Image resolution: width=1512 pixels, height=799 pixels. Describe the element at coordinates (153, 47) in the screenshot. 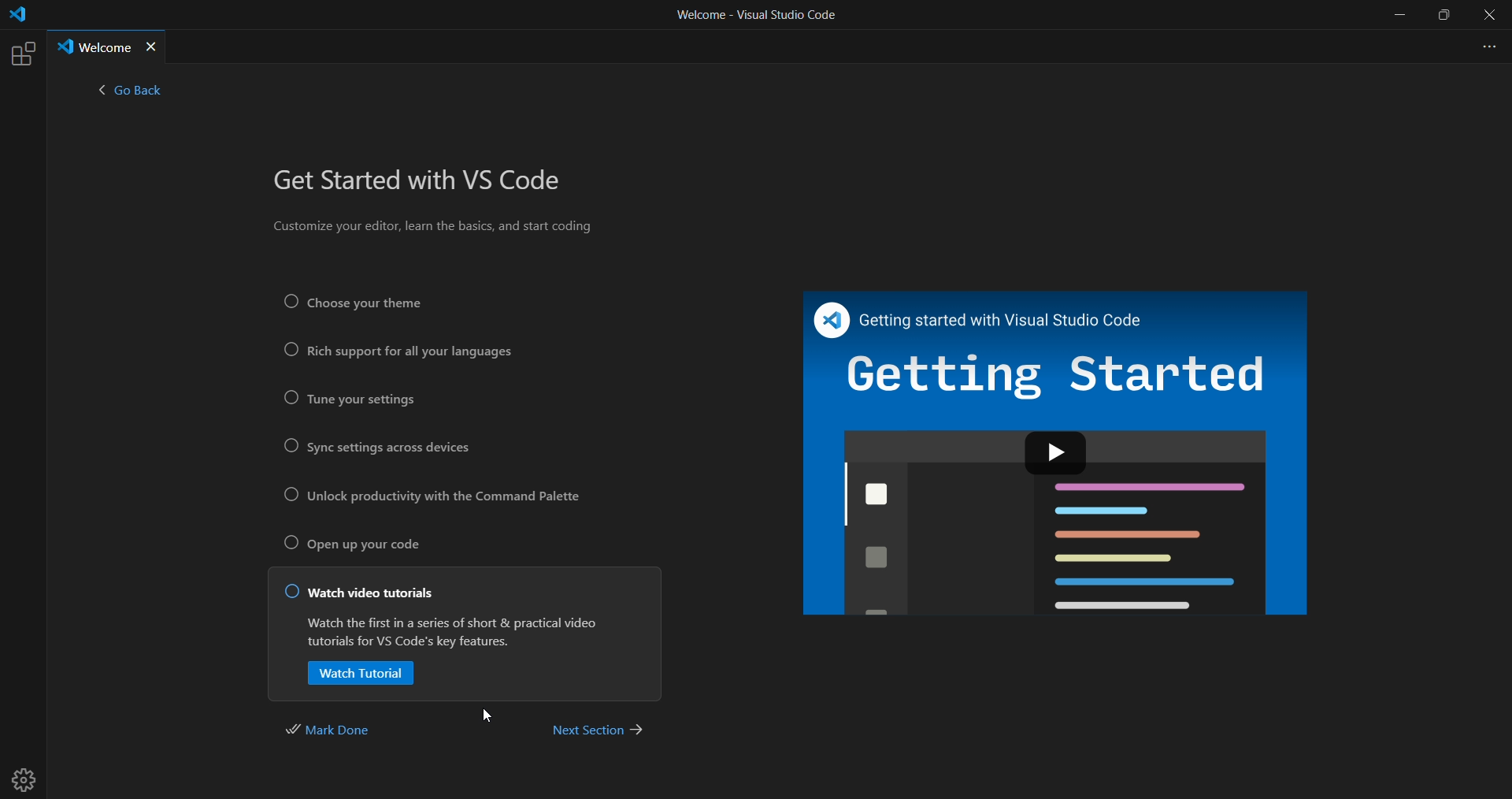

I see `close tab` at that location.